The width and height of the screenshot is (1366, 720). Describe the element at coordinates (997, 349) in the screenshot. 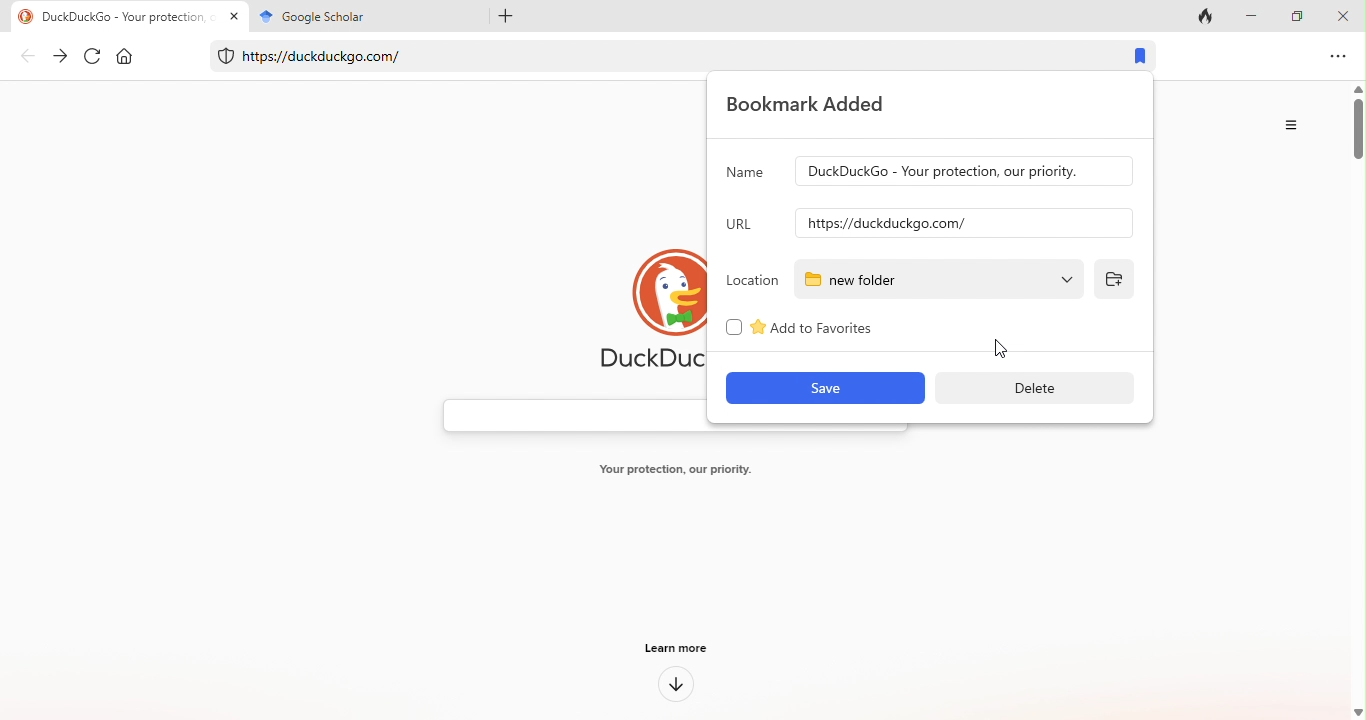

I see `cursor` at that location.